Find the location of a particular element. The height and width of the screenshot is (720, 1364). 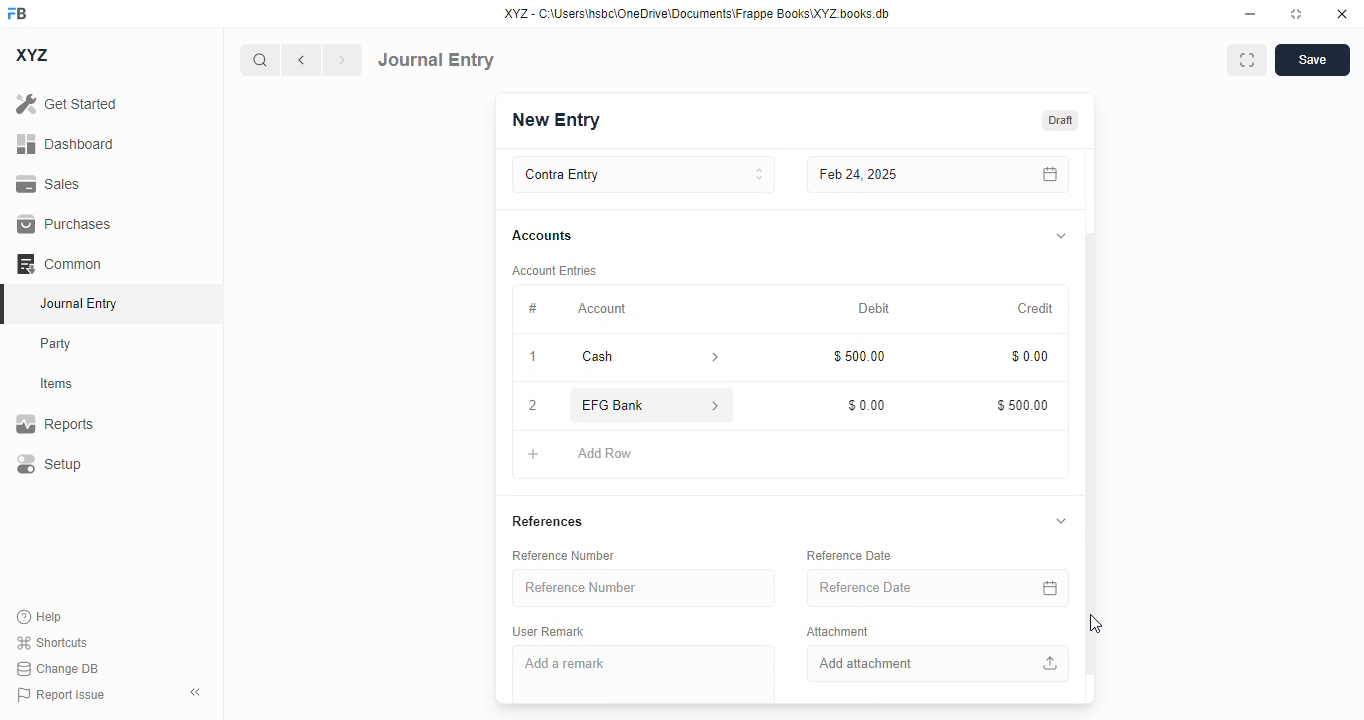

contra entry  is located at coordinates (643, 175).